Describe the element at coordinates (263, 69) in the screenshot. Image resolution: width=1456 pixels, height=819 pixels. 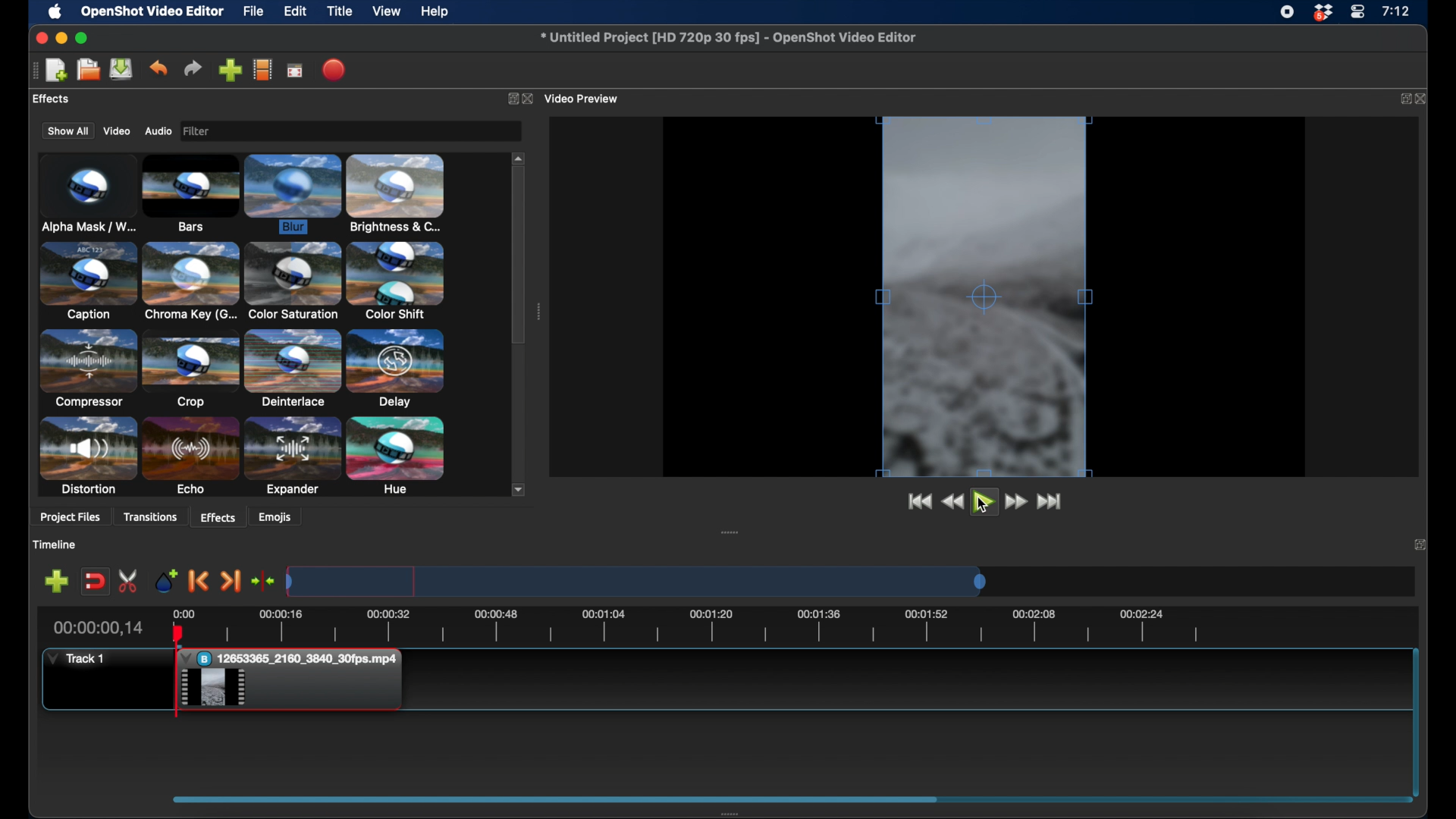
I see `choose profile` at that location.